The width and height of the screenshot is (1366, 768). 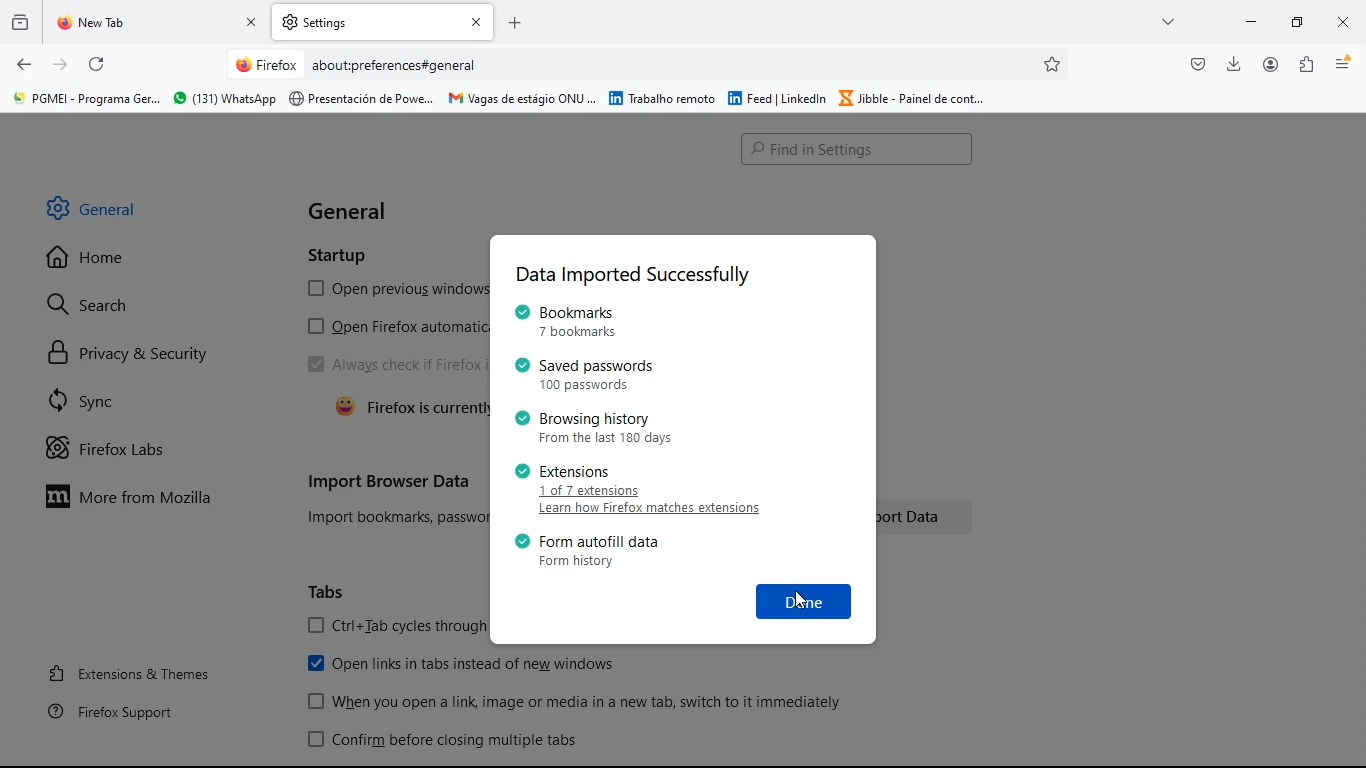 I want to click on © Browsing history
From the last 180 days., so click(x=588, y=427).